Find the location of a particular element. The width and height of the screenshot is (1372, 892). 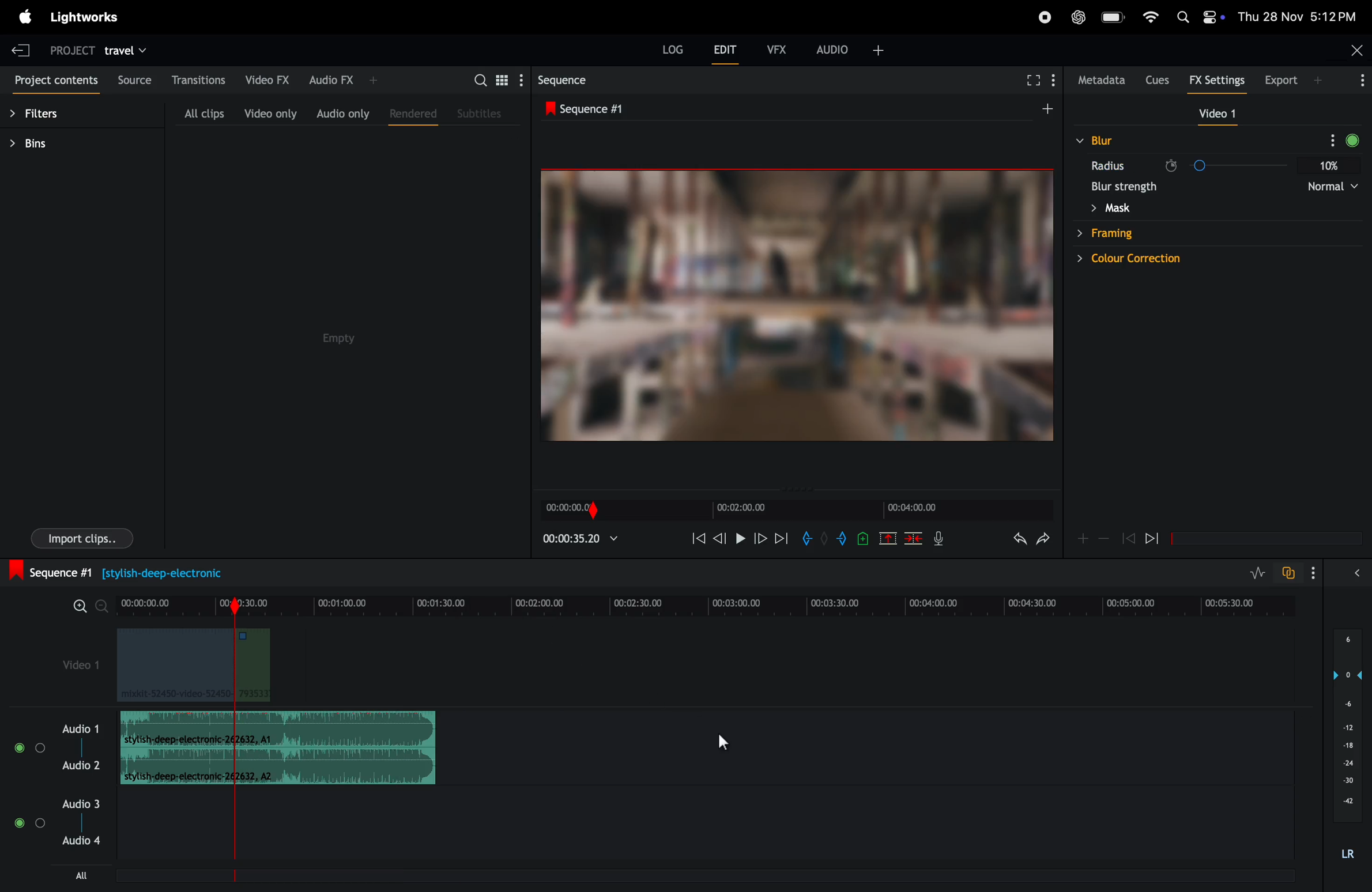

chatgpt is located at coordinates (1078, 16).